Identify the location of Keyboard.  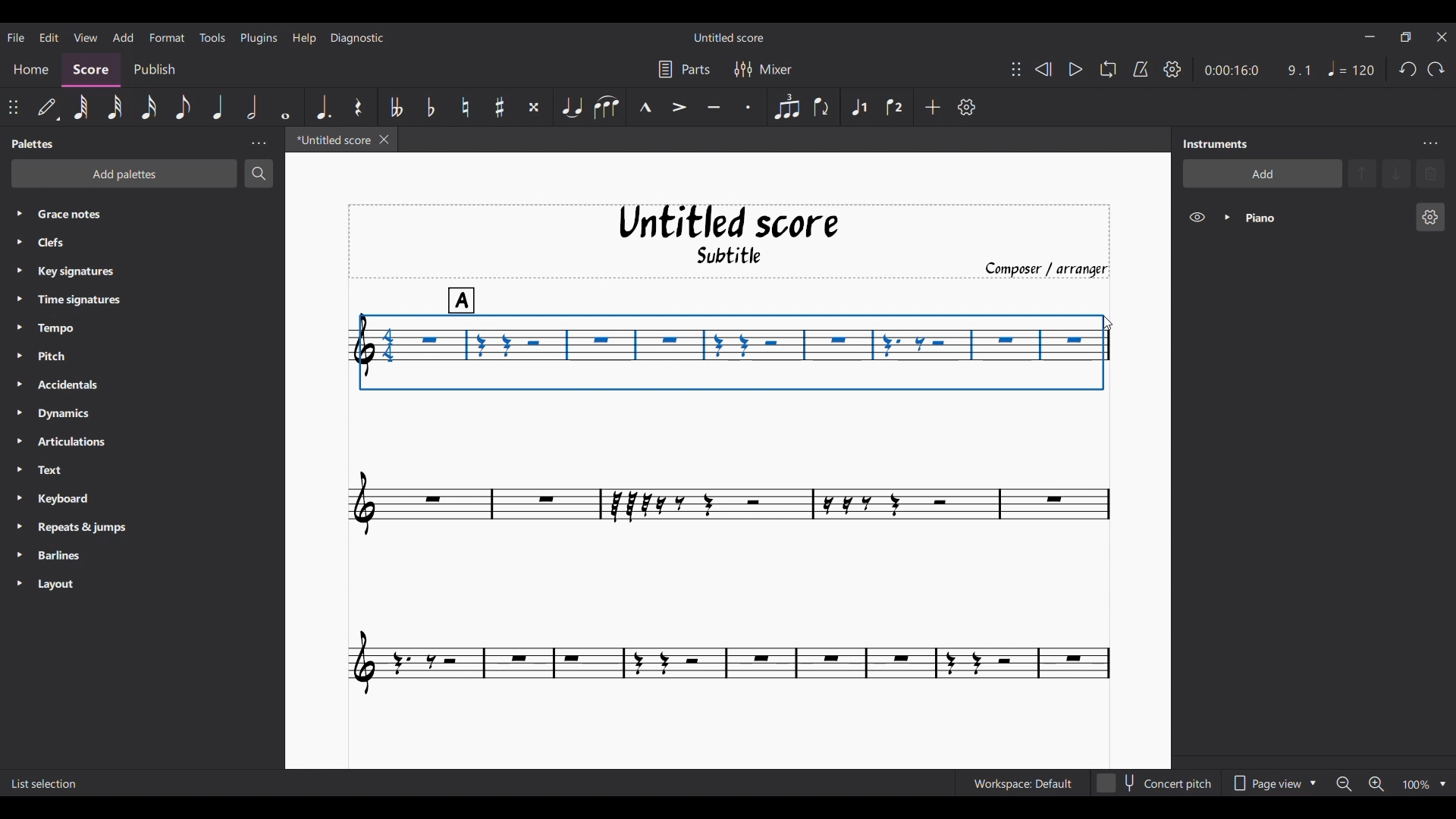
(82, 500).